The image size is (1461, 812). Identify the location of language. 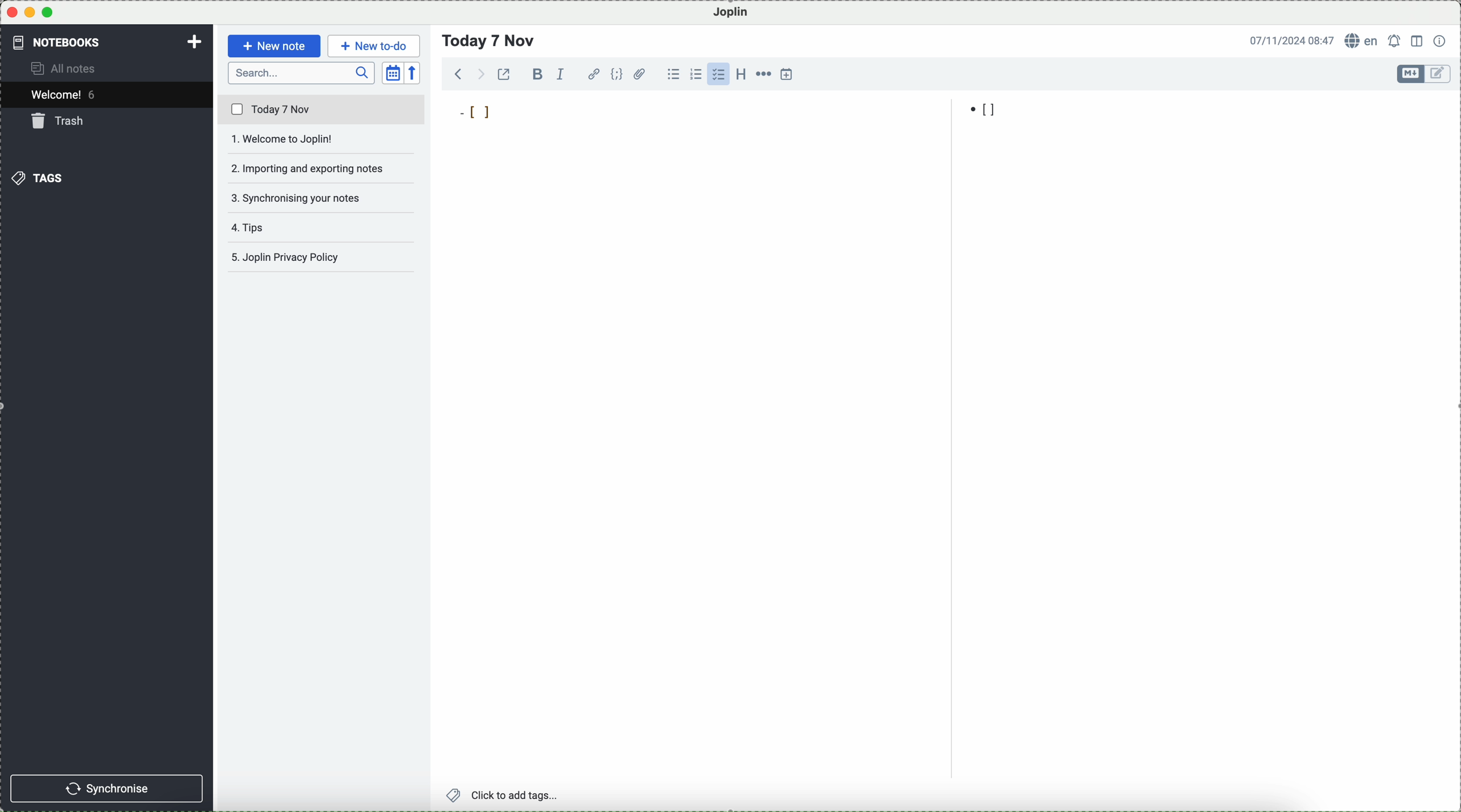
(1362, 40).